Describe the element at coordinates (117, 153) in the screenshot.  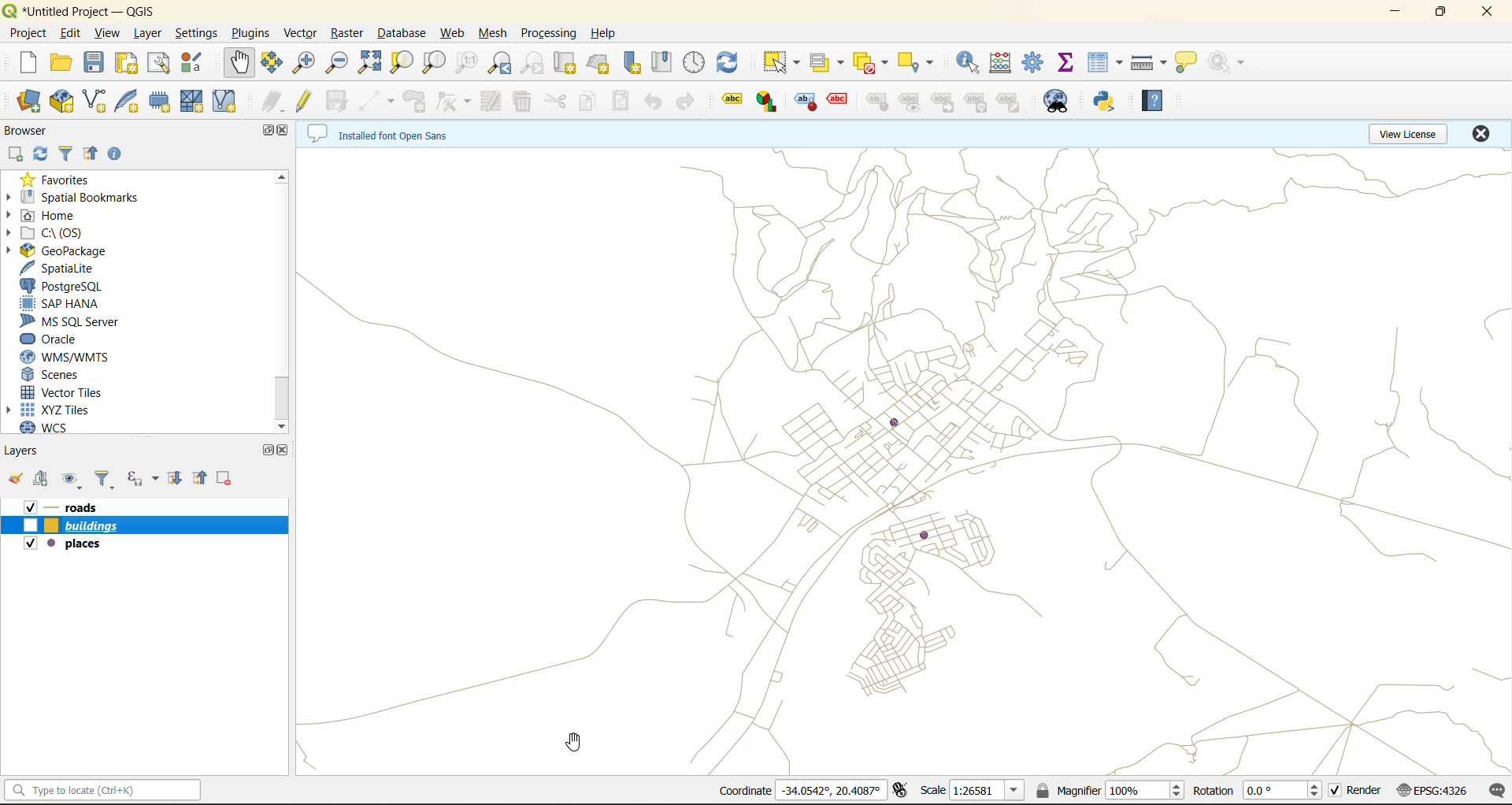
I see `enable properties` at that location.